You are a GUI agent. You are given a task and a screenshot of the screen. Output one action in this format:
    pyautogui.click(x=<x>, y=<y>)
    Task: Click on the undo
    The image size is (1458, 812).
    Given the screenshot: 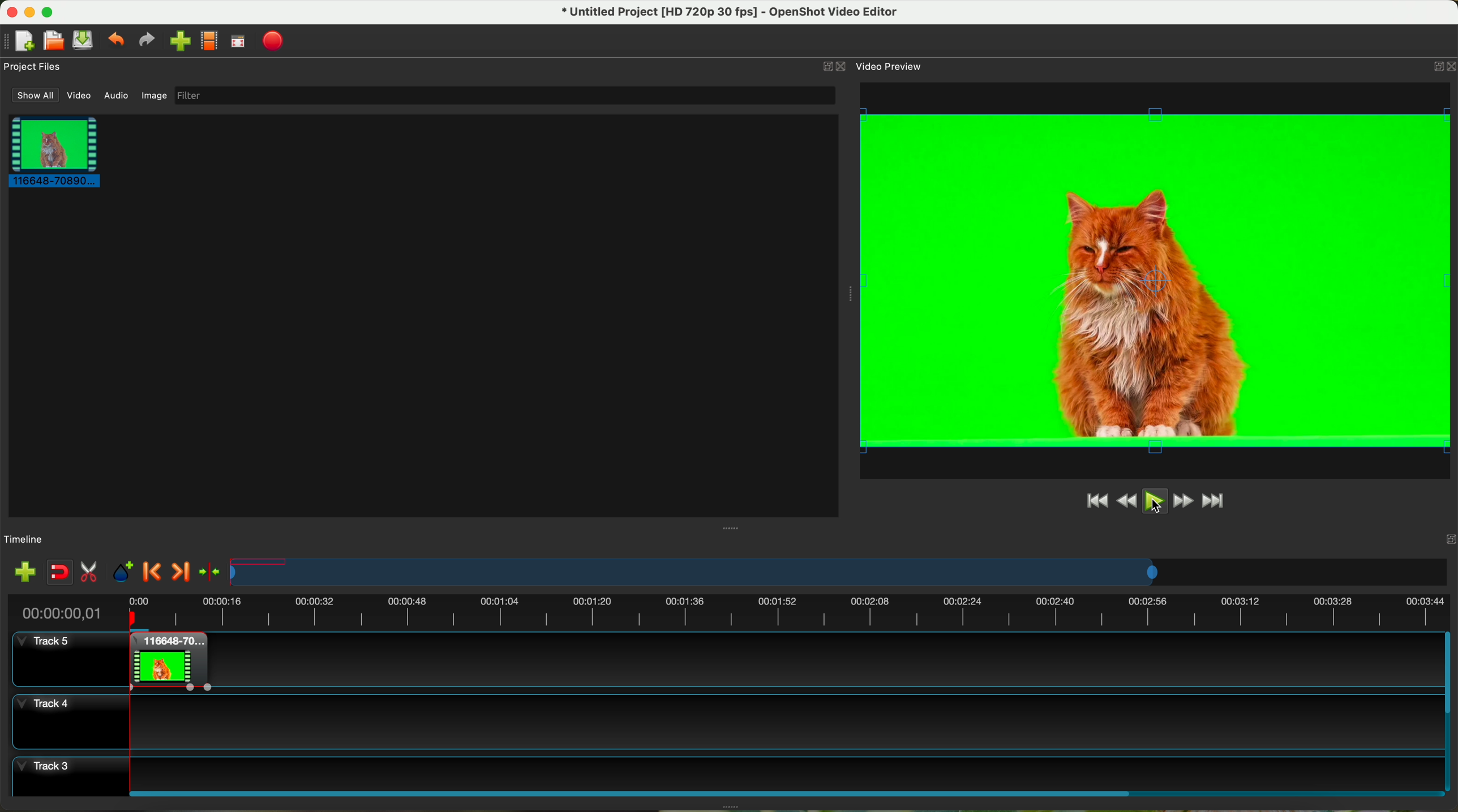 What is the action you would take?
    pyautogui.click(x=115, y=38)
    